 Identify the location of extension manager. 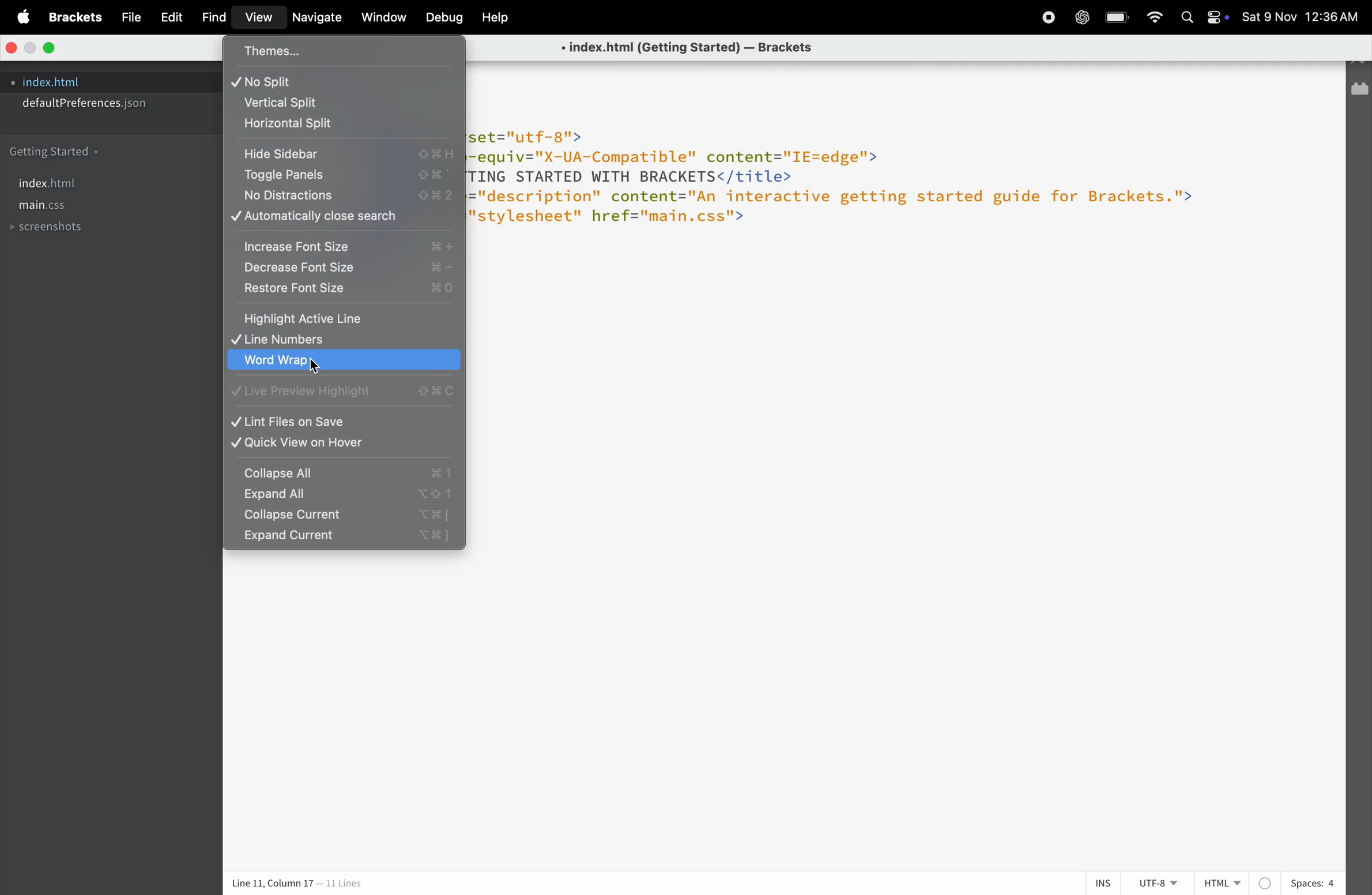
(1359, 89).